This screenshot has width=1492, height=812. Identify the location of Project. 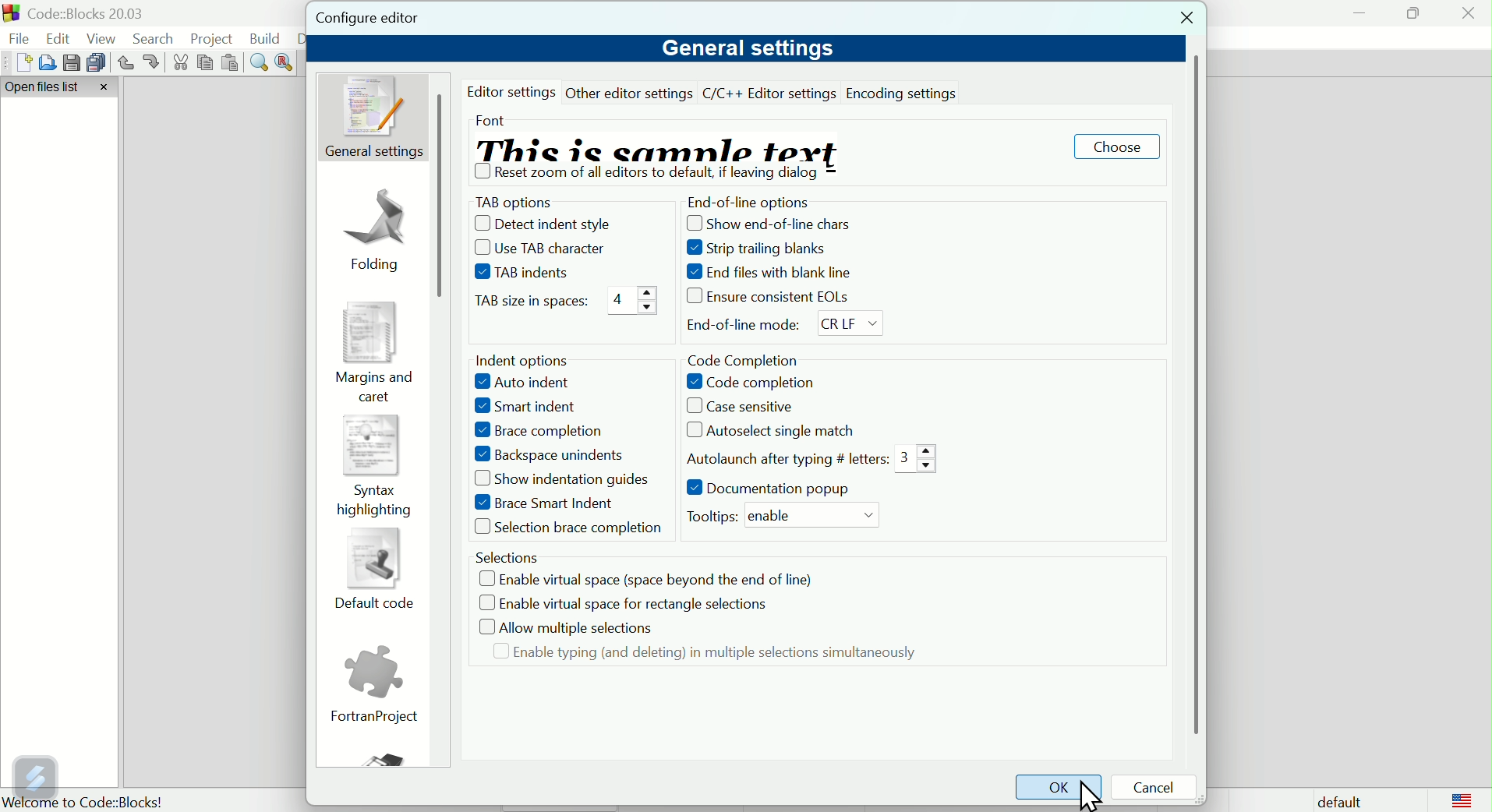
(214, 38).